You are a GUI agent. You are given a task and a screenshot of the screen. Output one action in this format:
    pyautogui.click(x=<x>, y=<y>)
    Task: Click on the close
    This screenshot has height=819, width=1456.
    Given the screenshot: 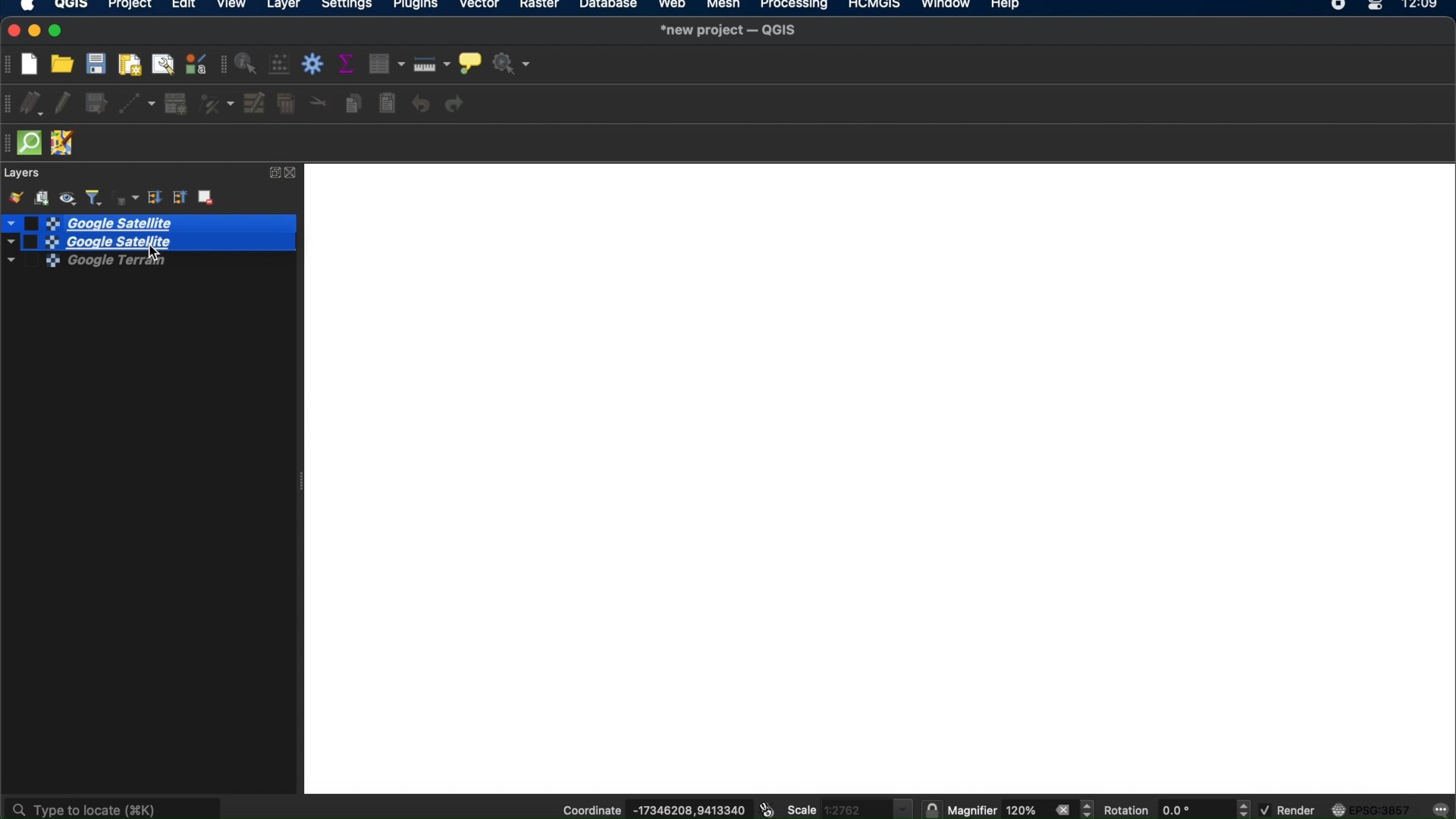 What is the action you would take?
    pyautogui.click(x=1062, y=810)
    